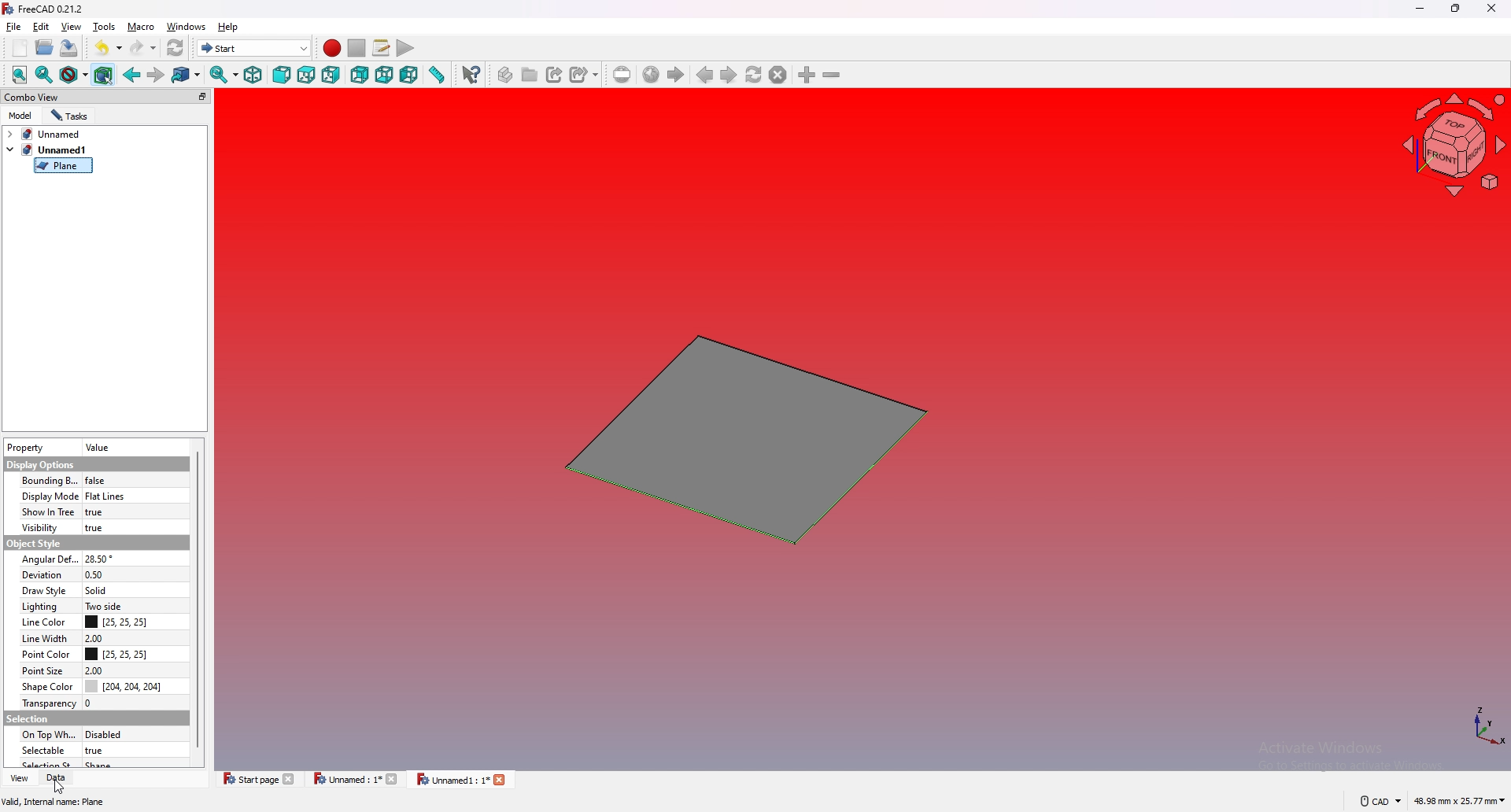 The width and height of the screenshot is (1511, 812). I want to click on record macros, so click(332, 49).